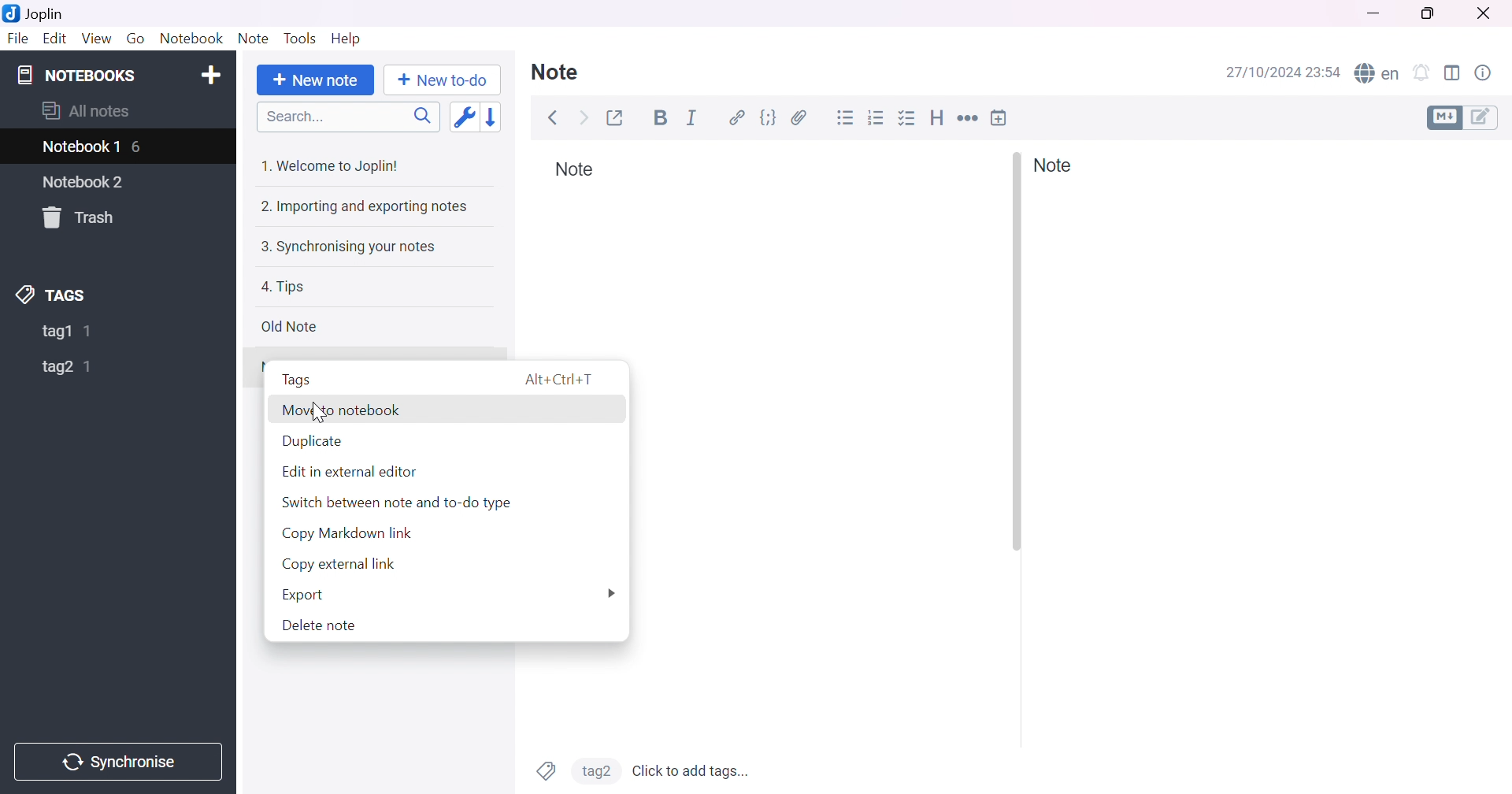 The height and width of the screenshot is (794, 1512). What do you see at coordinates (98, 39) in the screenshot?
I see `View` at bounding box center [98, 39].